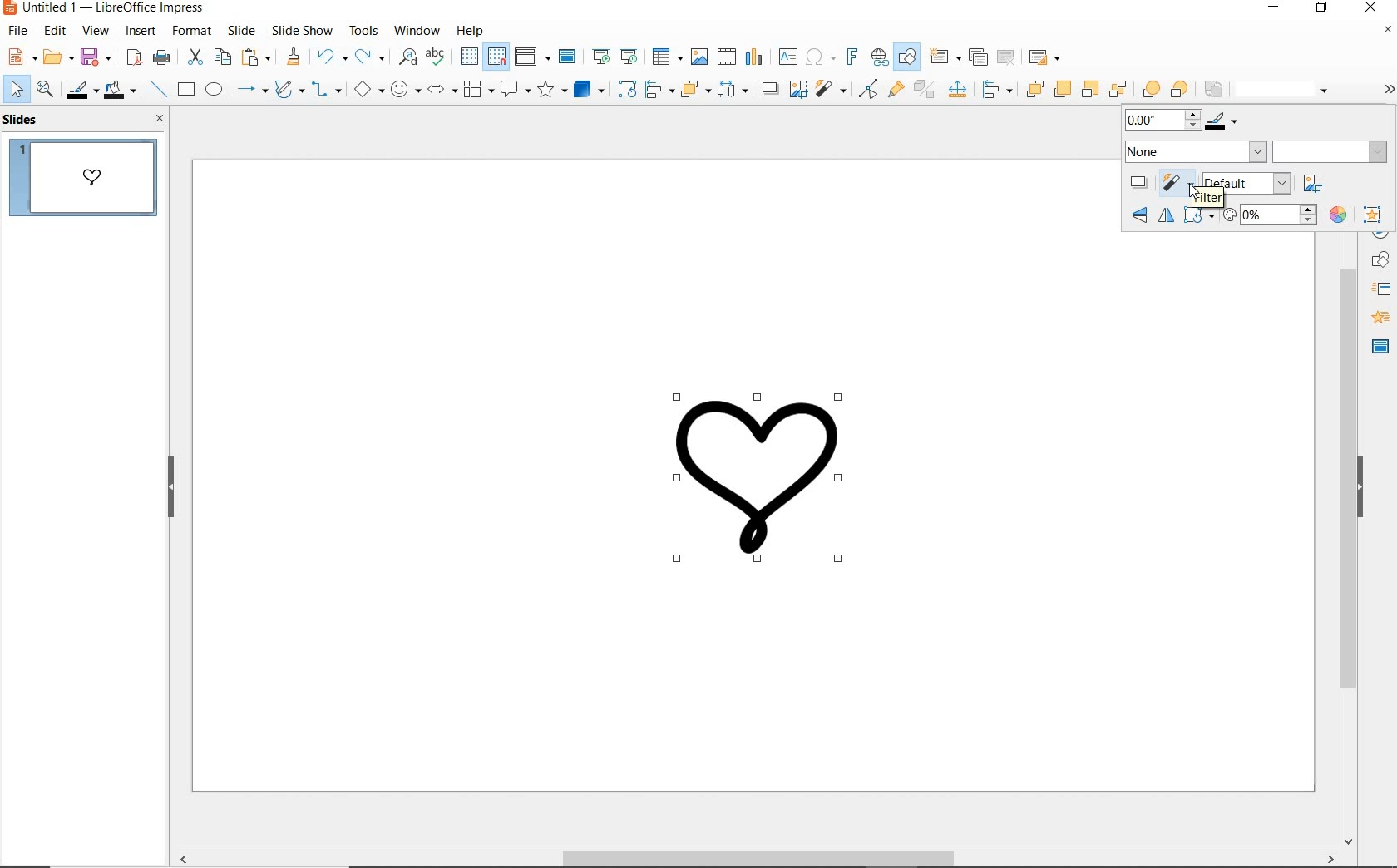 Image resolution: width=1397 pixels, height=868 pixels. Describe the element at coordinates (1059, 88) in the screenshot. I see `bring forward` at that location.